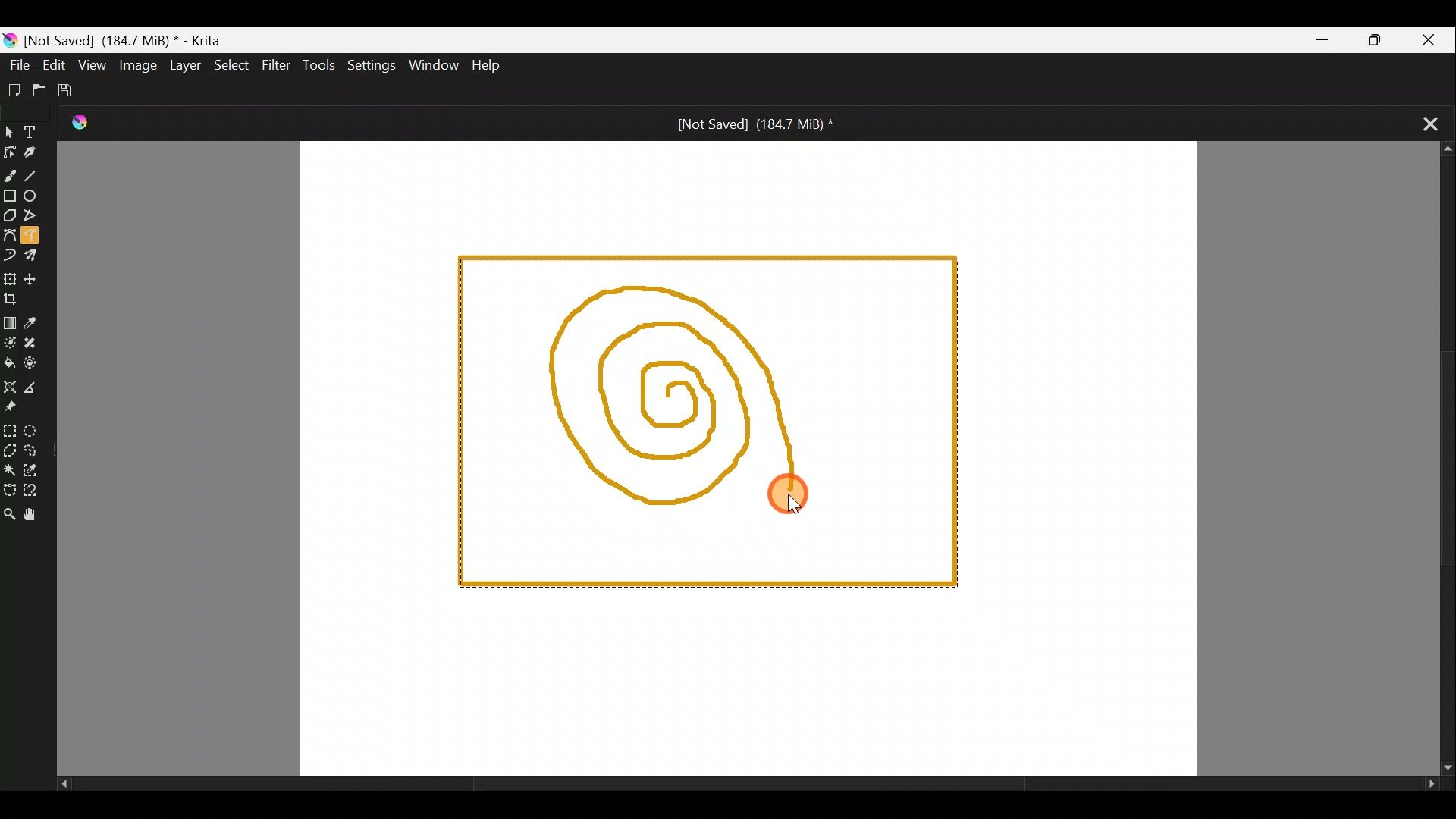 This screenshot has height=819, width=1456. Describe the element at coordinates (36, 217) in the screenshot. I see `Polyline tool` at that location.